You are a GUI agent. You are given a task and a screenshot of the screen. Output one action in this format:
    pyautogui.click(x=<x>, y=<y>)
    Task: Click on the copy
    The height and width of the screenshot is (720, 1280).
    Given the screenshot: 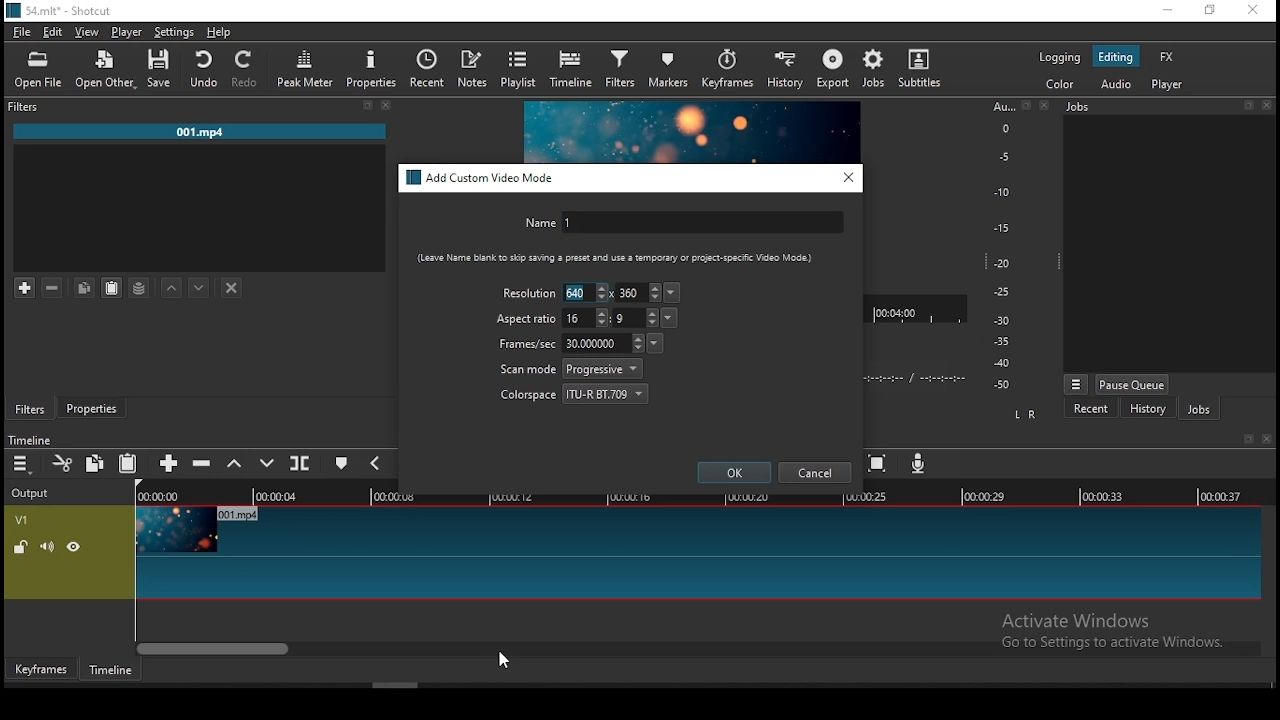 What is the action you would take?
    pyautogui.click(x=84, y=287)
    